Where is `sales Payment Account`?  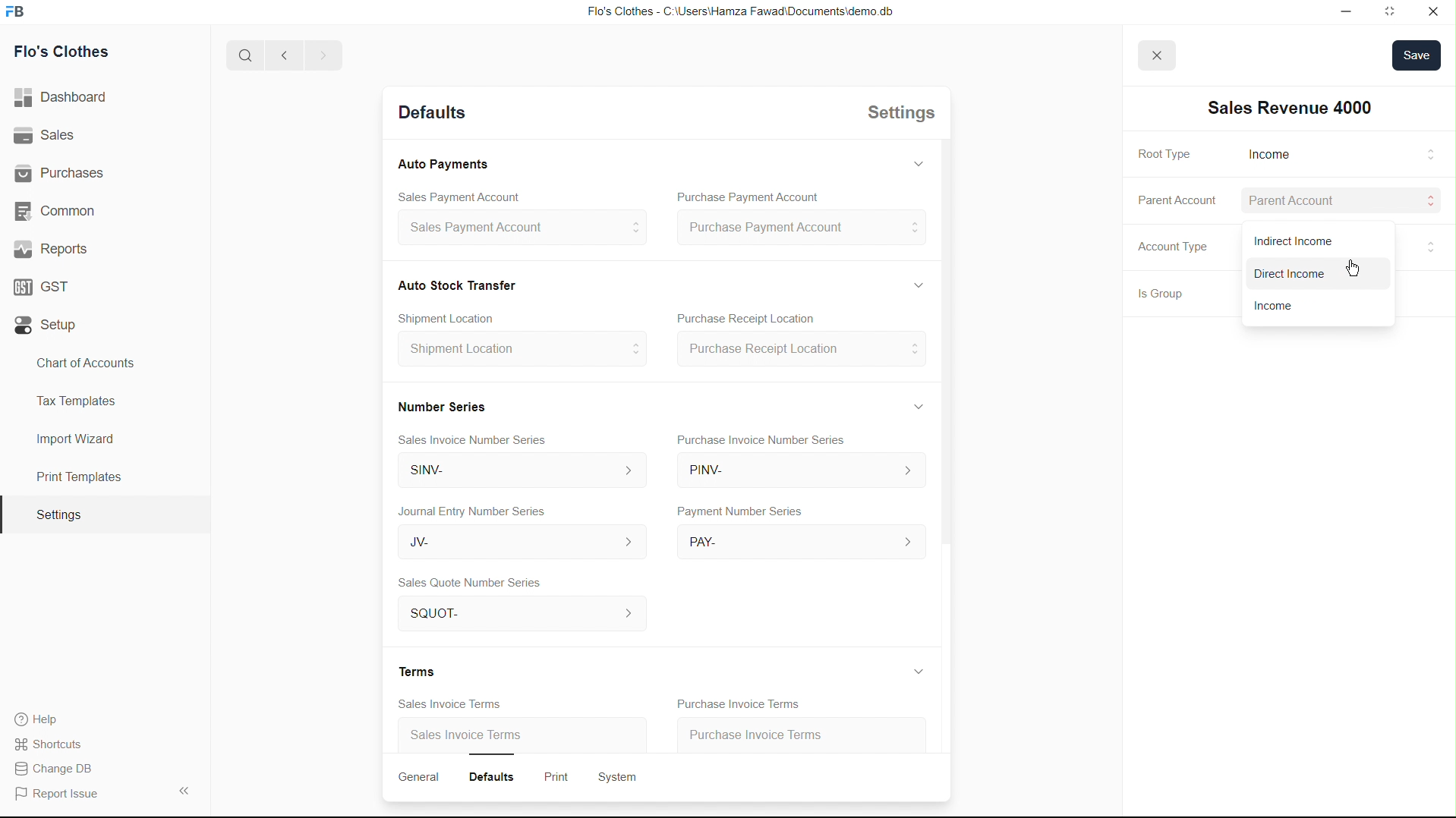 sales Payment Account is located at coordinates (515, 229).